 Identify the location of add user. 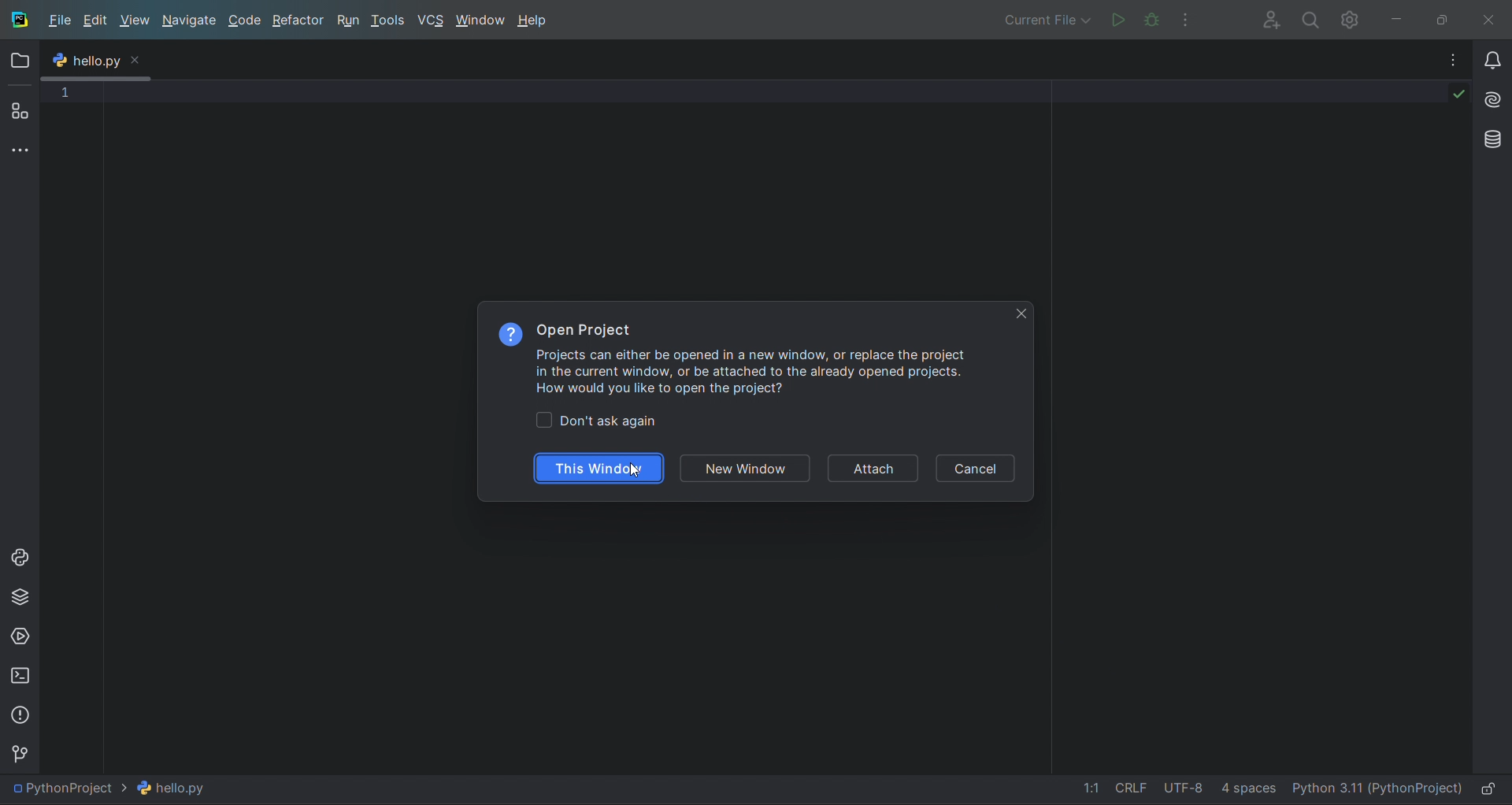
(1266, 19).